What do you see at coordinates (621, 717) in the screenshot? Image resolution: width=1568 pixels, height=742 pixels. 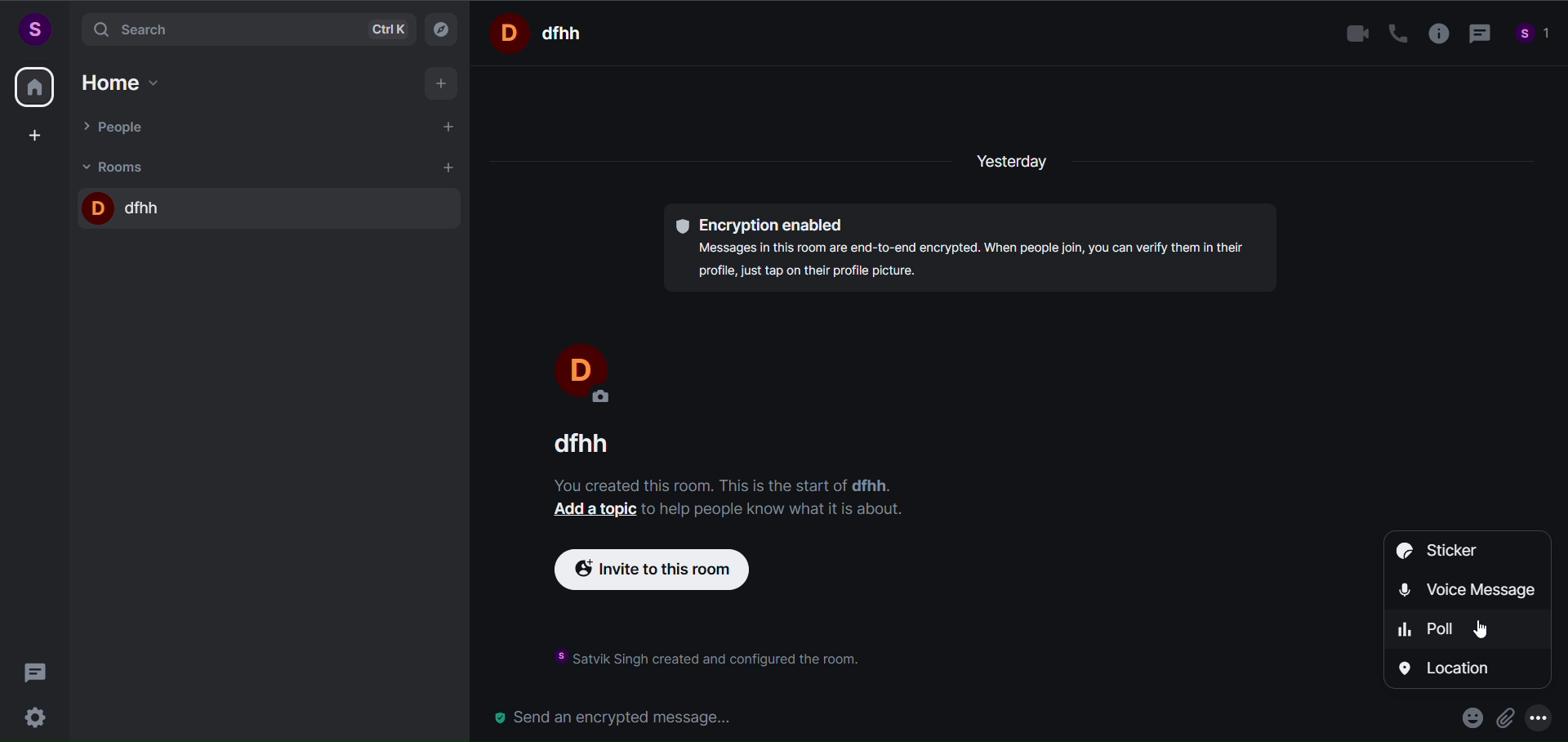 I see `send an encrypted message` at bounding box center [621, 717].